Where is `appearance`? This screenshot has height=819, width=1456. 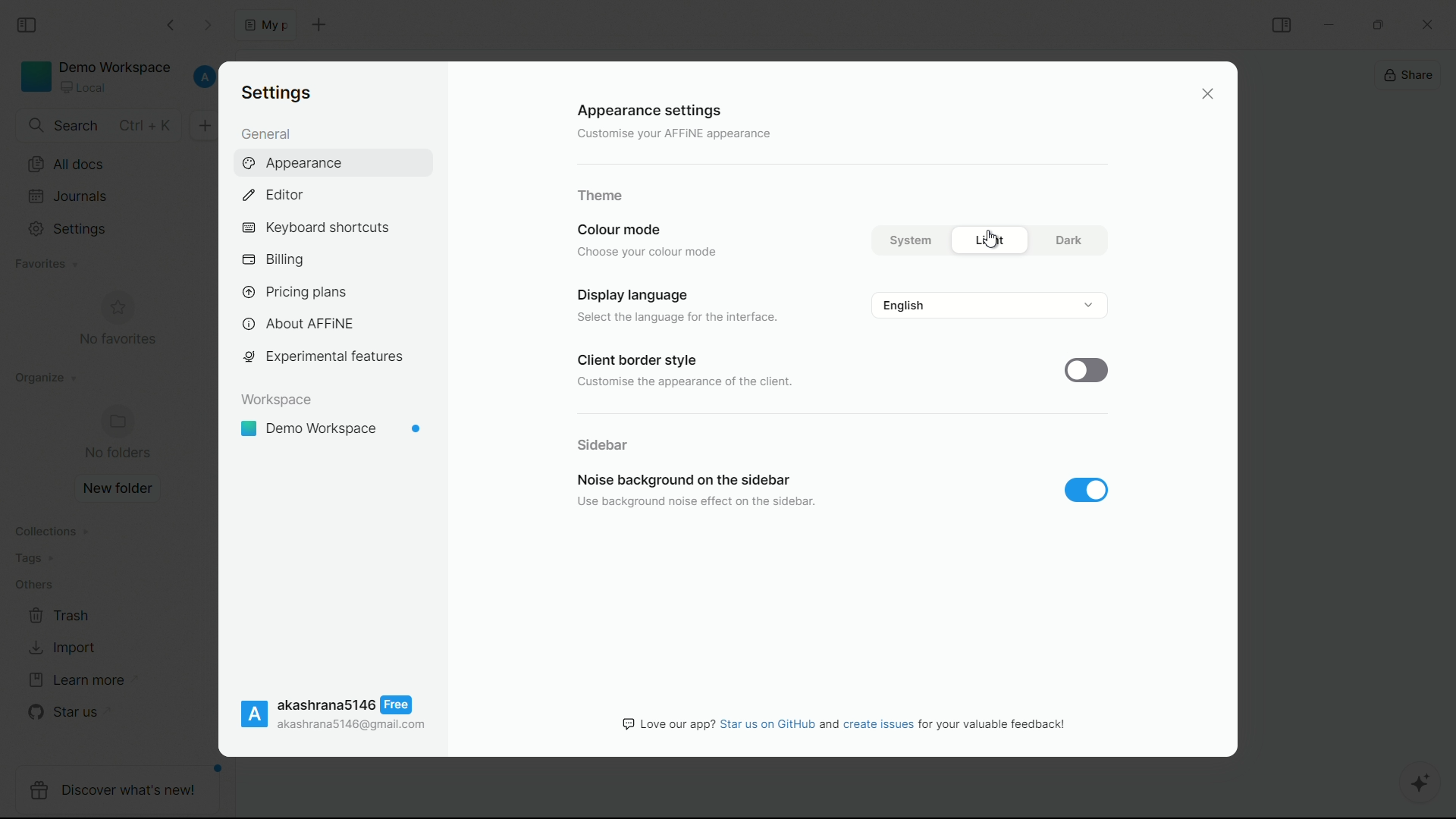
appearance is located at coordinates (297, 164).